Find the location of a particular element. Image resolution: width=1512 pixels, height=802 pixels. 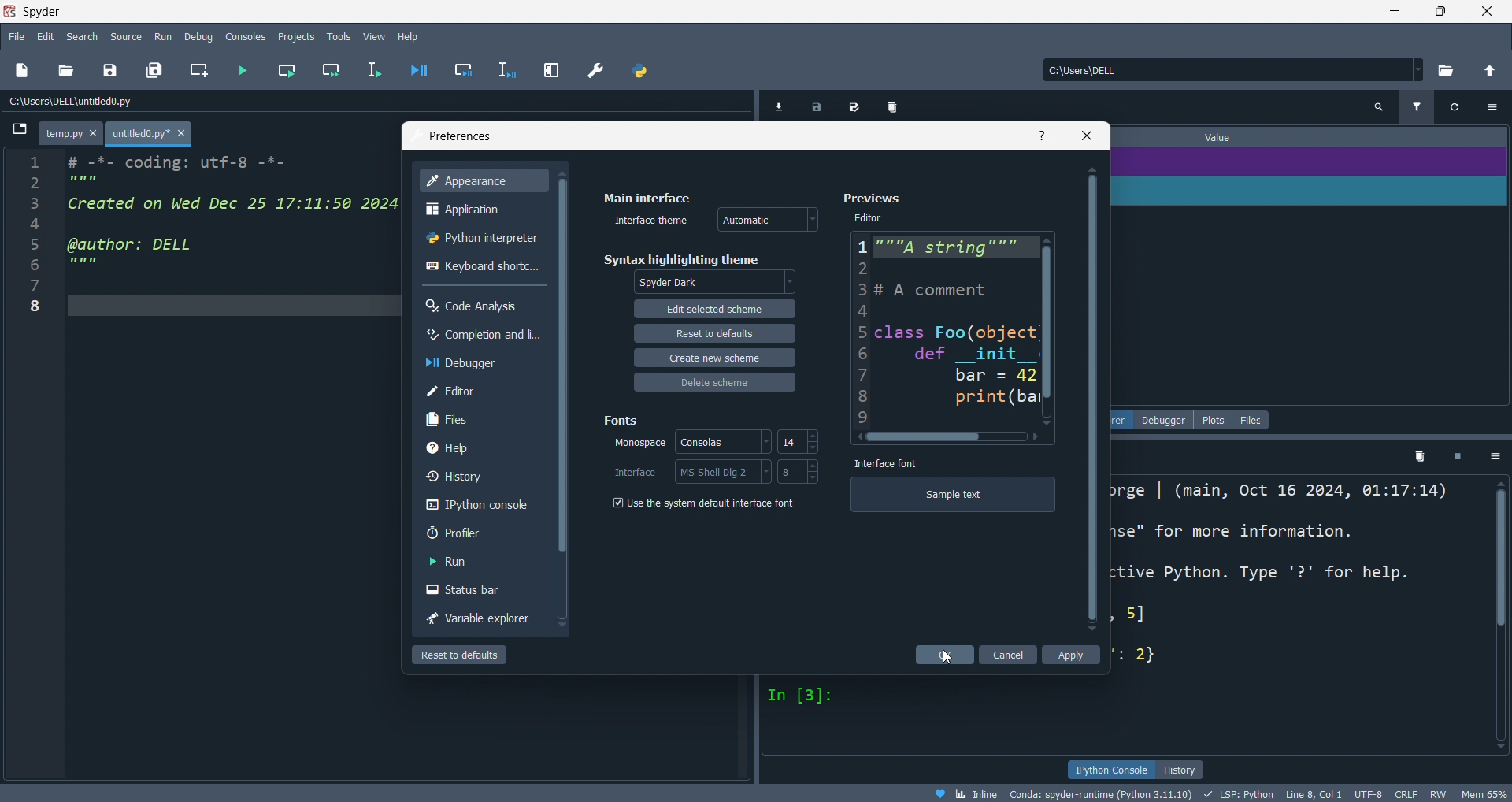

tools is located at coordinates (335, 38).